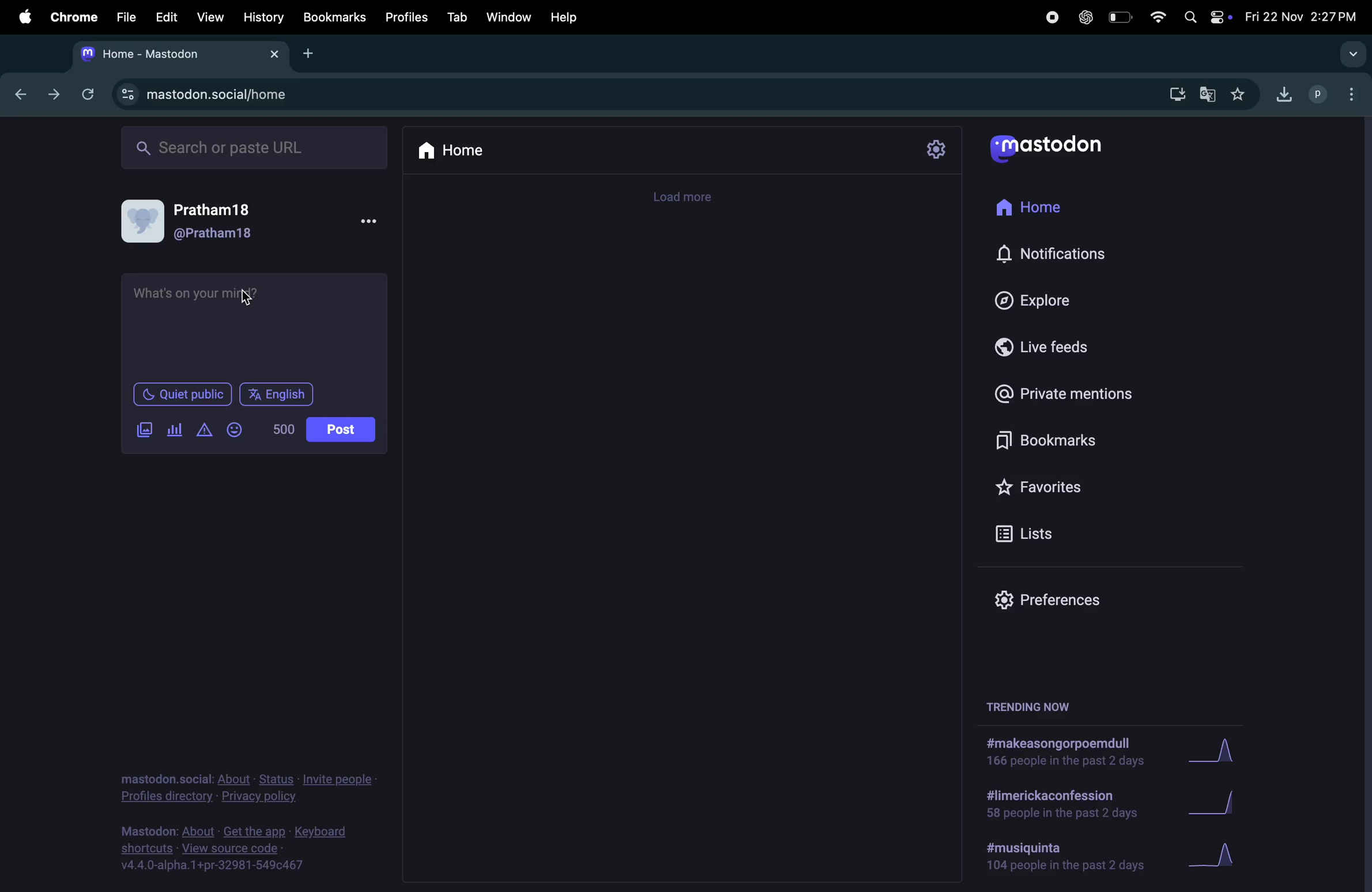 The width and height of the screenshot is (1372, 892). Describe the element at coordinates (1177, 92) in the screenshot. I see `downloads` at that location.